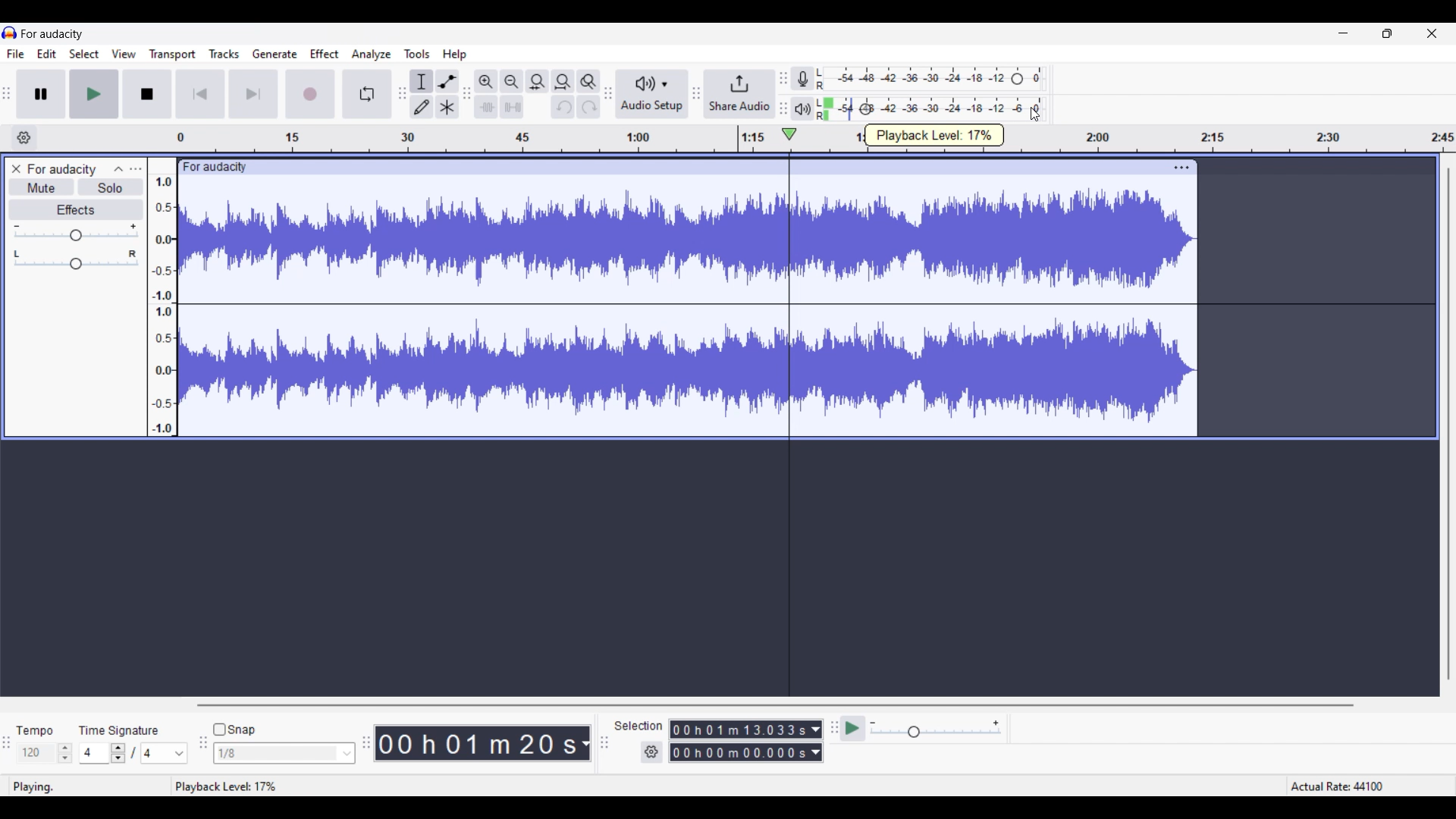 This screenshot has height=819, width=1456. Describe the element at coordinates (562, 107) in the screenshot. I see `Undo` at that location.